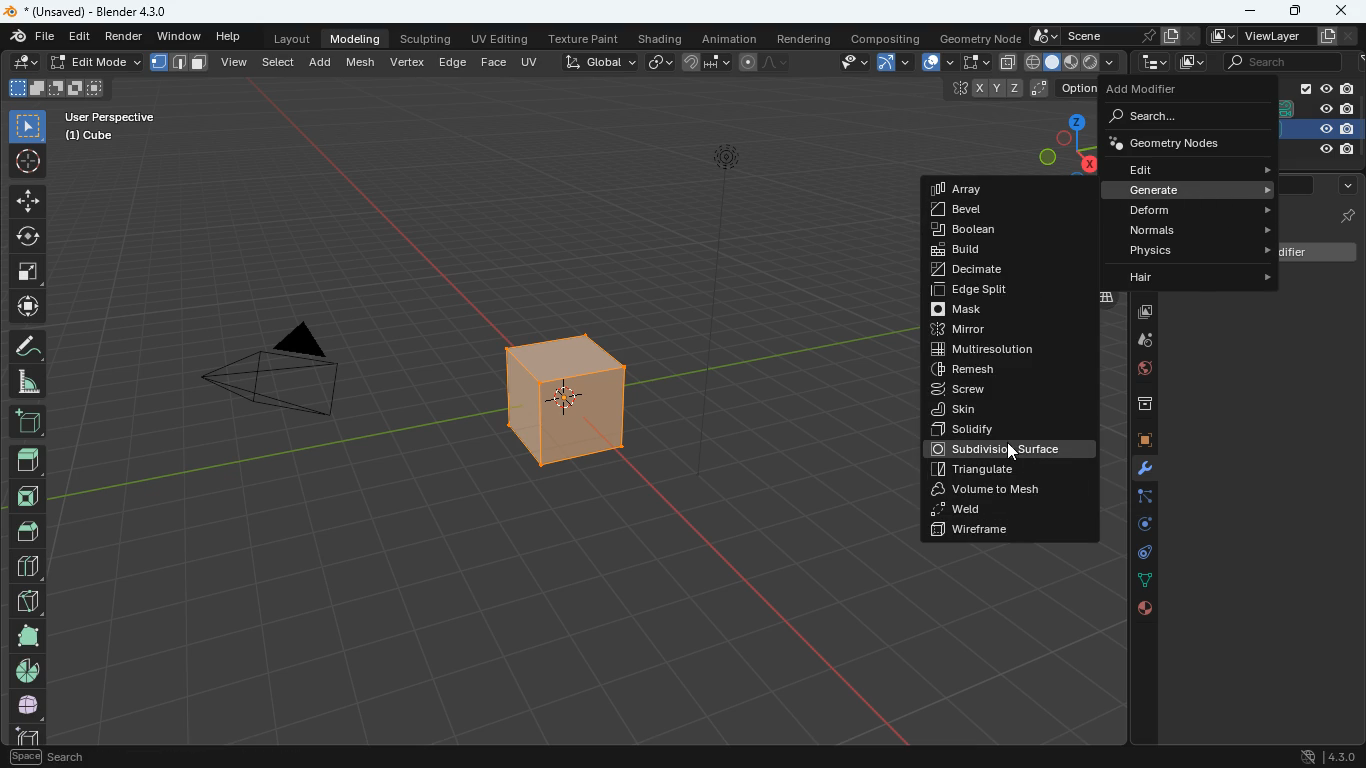  What do you see at coordinates (997, 330) in the screenshot?
I see `mirror` at bounding box center [997, 330].